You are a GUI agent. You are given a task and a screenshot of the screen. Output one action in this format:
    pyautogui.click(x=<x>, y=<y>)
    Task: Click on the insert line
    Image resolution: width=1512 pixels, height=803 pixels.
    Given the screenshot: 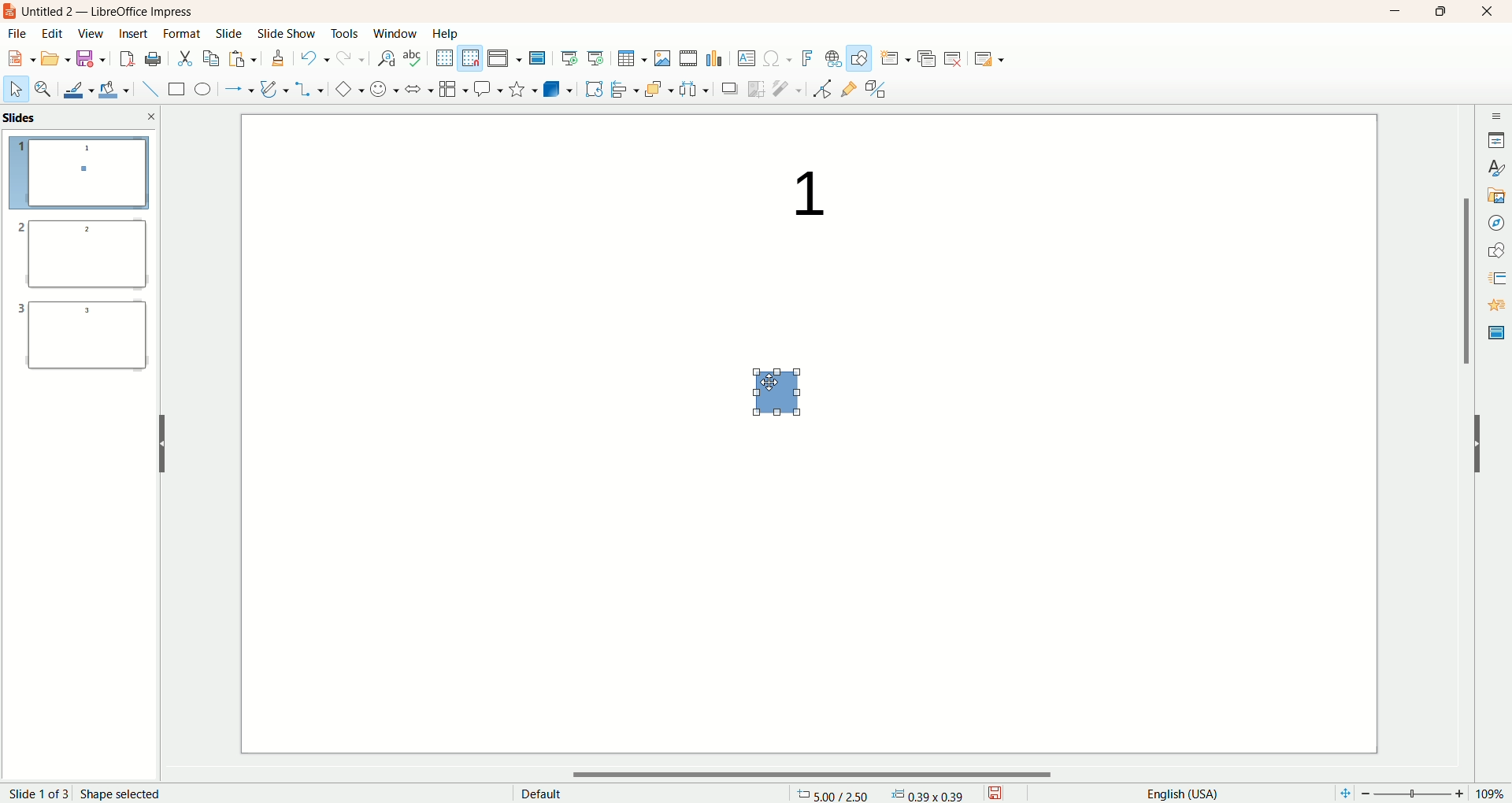 What is the action you would take?
    pyautogui.click(x=145, y=89)
    